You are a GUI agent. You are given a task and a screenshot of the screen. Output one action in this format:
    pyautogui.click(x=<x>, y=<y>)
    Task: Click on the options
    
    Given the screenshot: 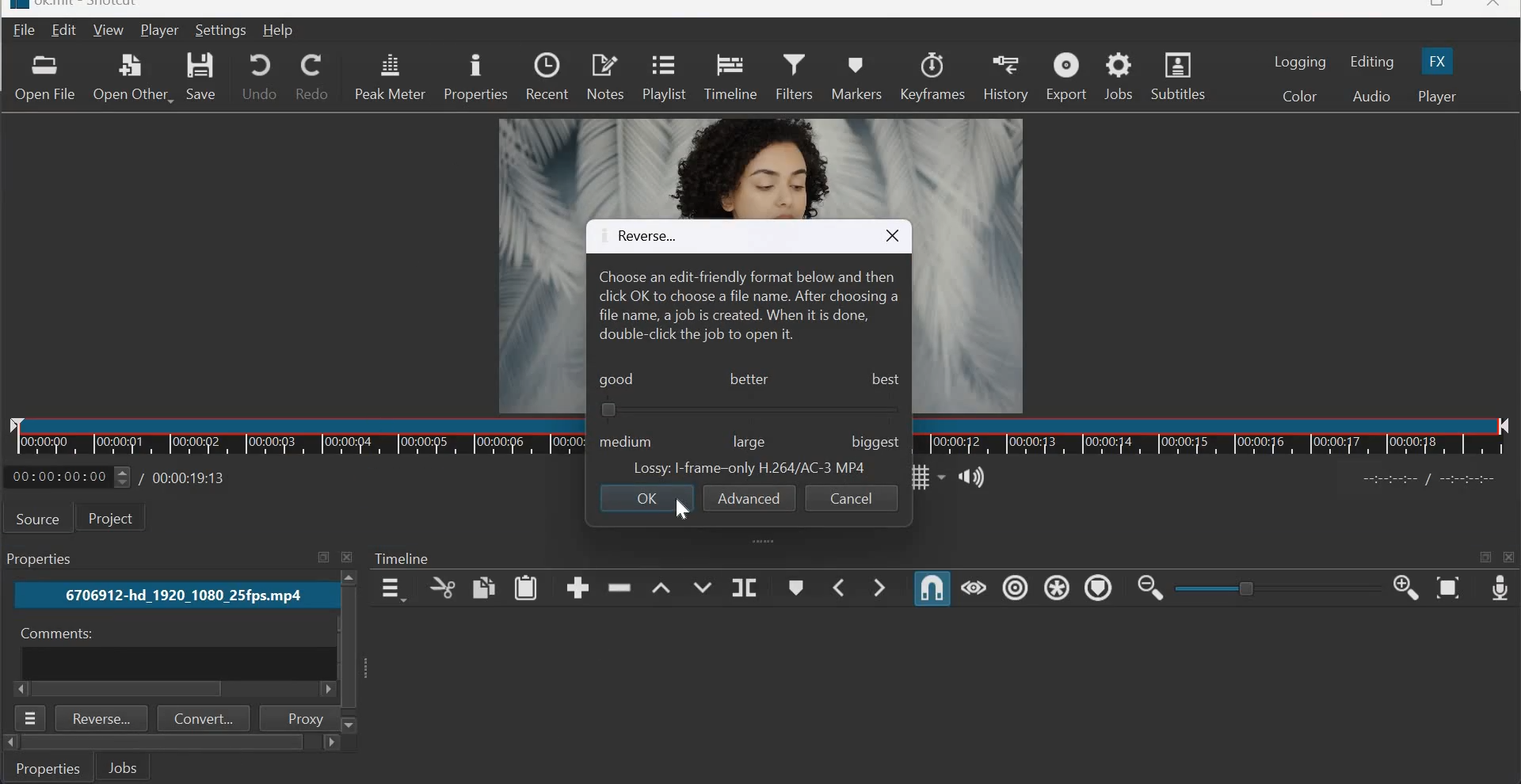 What is the action you would take?
    pyautogui.click(x=32, y=718)
    